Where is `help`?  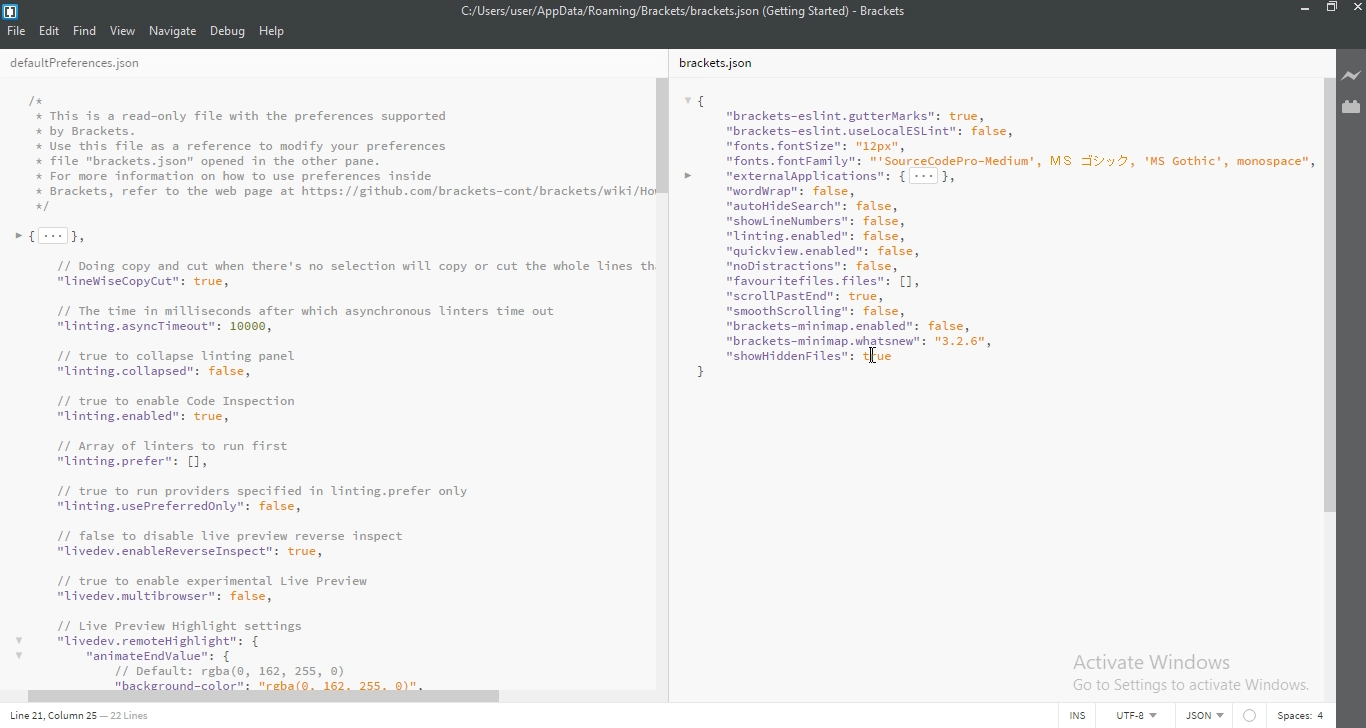 help is located at coordinates (273, 31).